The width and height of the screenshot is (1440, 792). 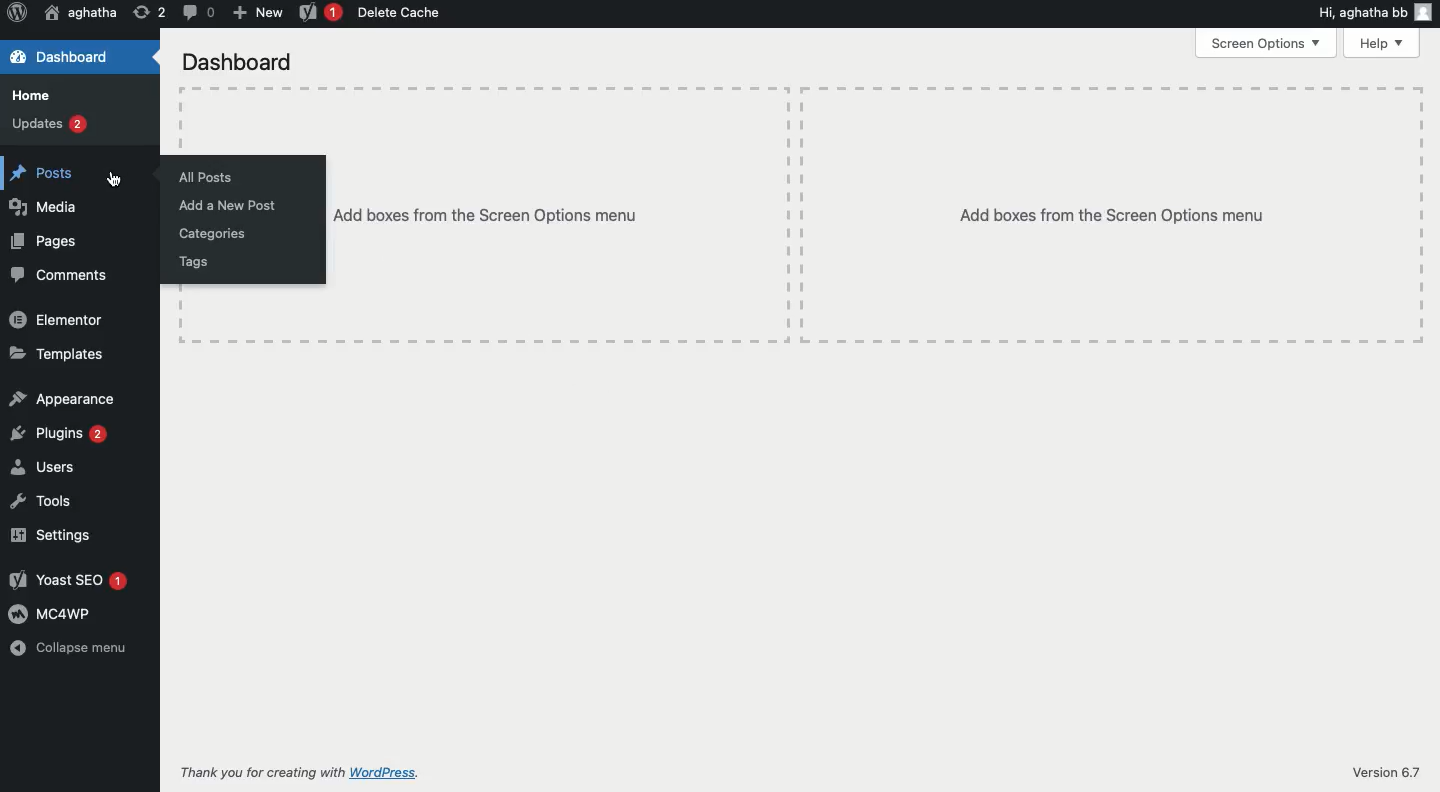 What do you see at coordinates (57, 354) in the screenshot?
I see `Templates` at bounding box center [57, 354].